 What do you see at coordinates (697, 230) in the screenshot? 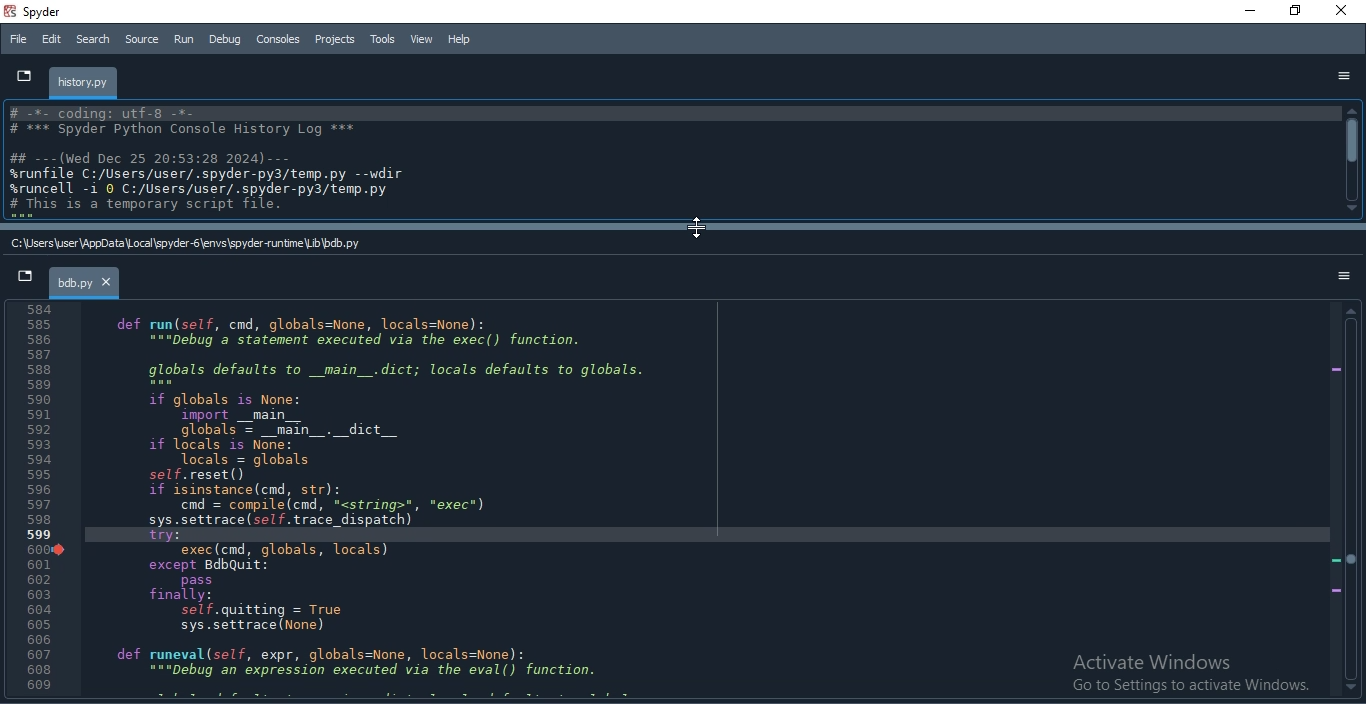
I see `Cursor on Adjust window` at bounding box center [697, 230].